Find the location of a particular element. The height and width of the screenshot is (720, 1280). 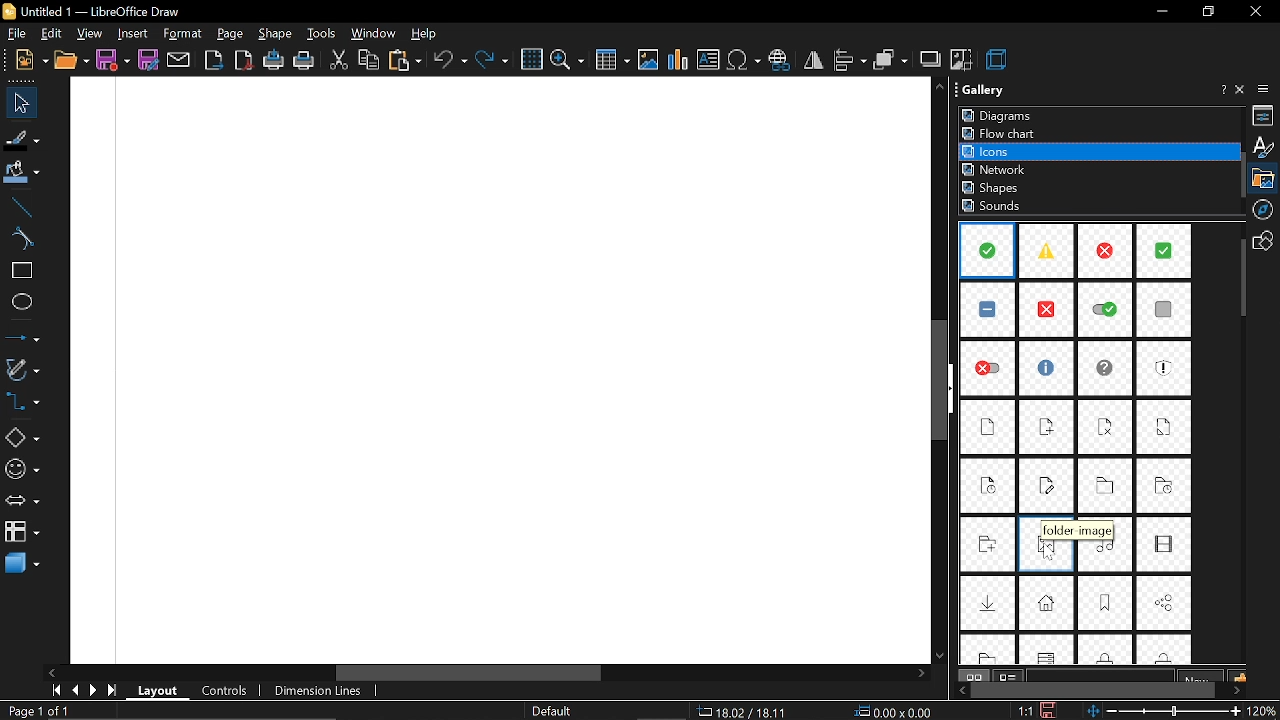

save is located at coordinates (1049, 710).